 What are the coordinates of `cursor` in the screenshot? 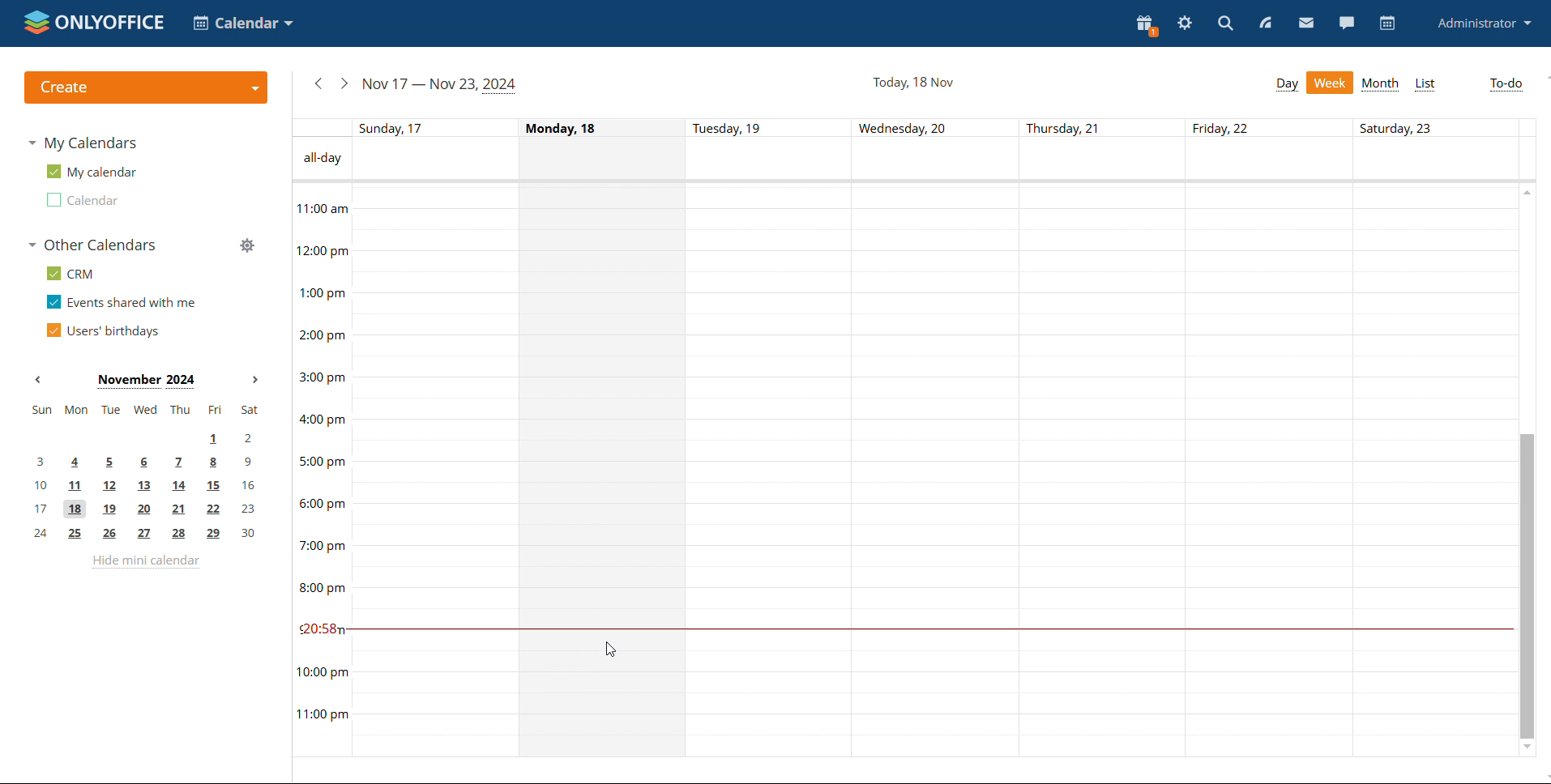 It's located at (611, 648).